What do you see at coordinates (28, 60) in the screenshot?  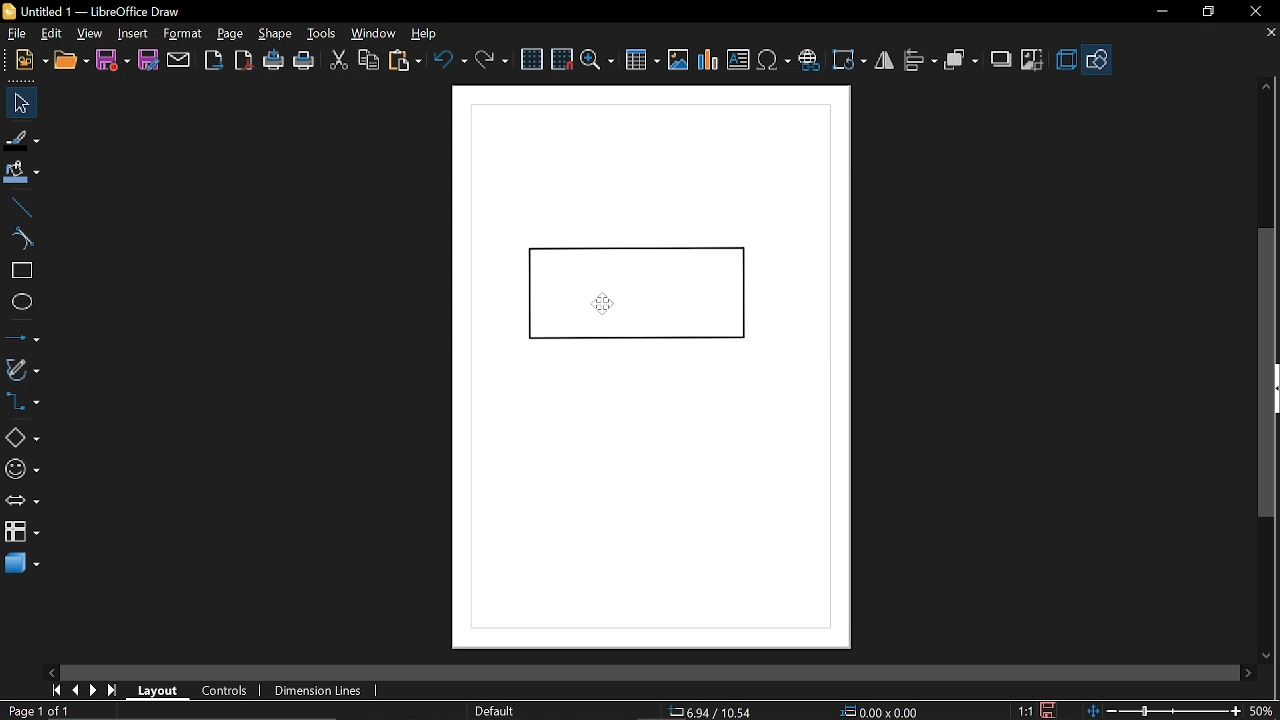 I see `new` at bounding box center [28, 60].